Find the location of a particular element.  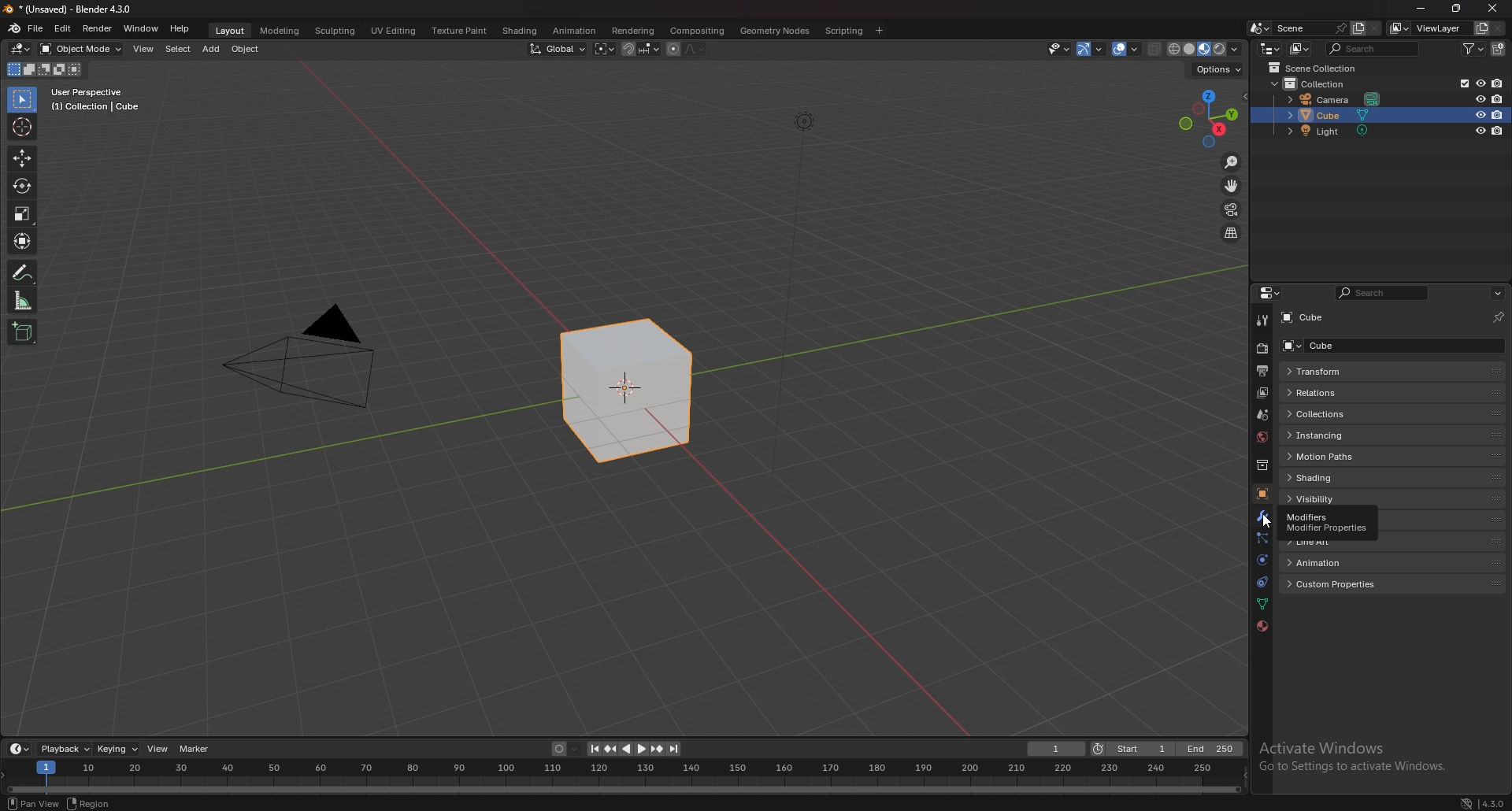

light is located at coordinates (1333, 131).